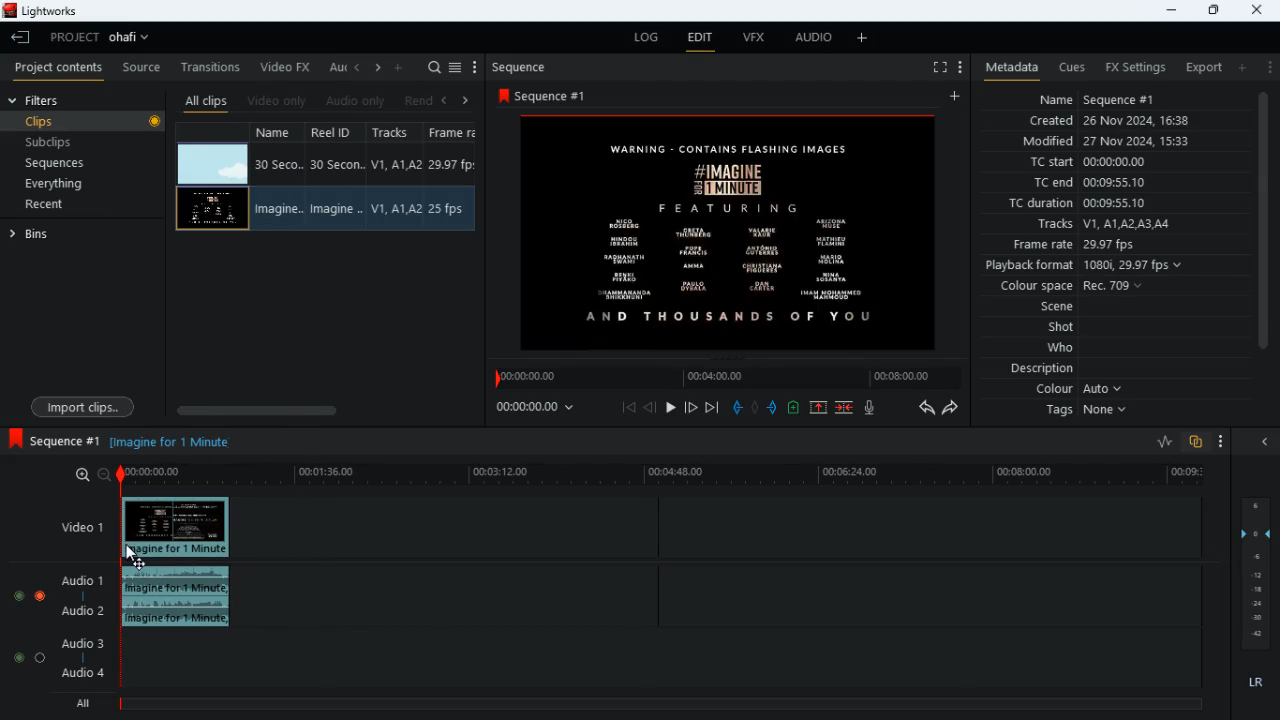 The height and width of the screenshot is (720, 1280). I want to click on timeline, so click(722, 378).